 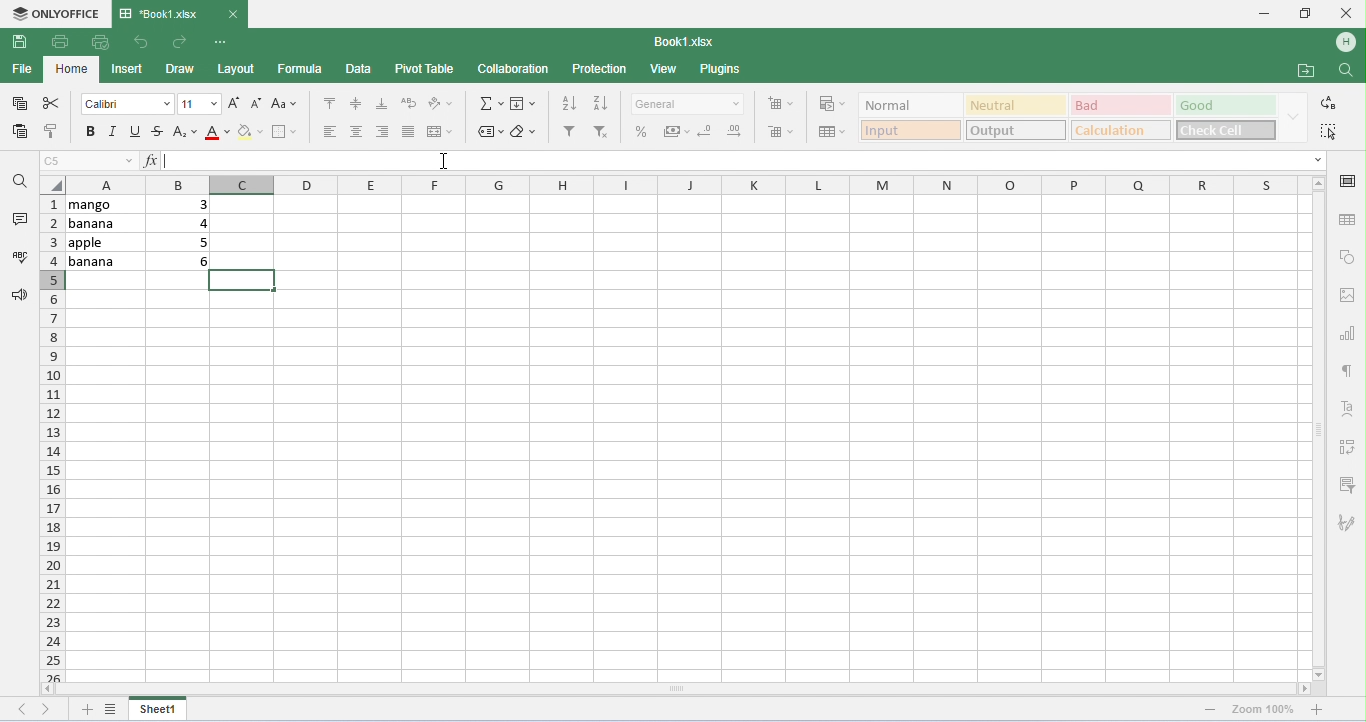 What do you see at coordinates (409, 132) in the screenshot?
I see `justified` at bounding box center [409, 132].